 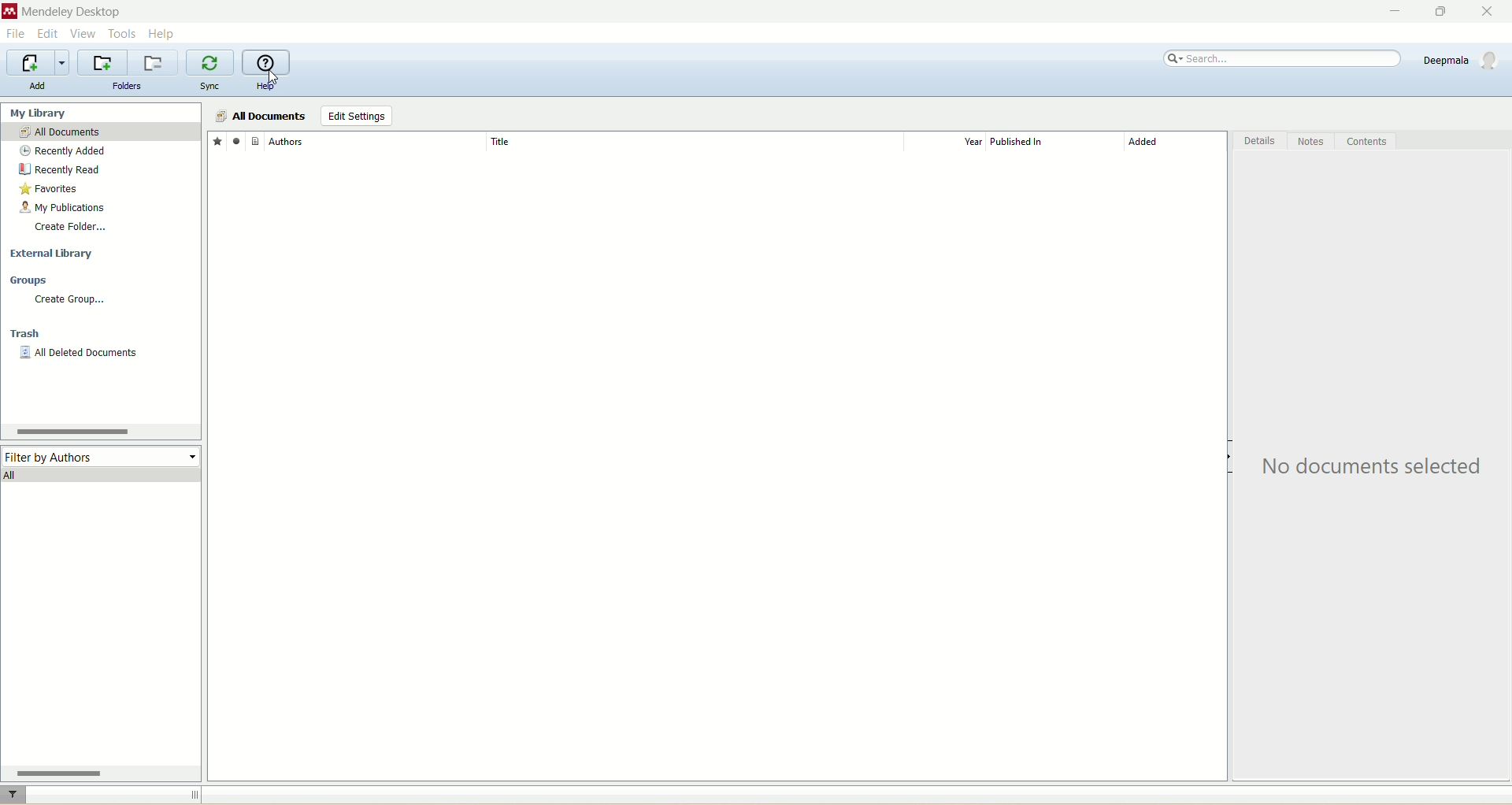 What do you see at coordinates (1487, 13) in the screenshot?
I see `close` at bounding box center [1487, 13].